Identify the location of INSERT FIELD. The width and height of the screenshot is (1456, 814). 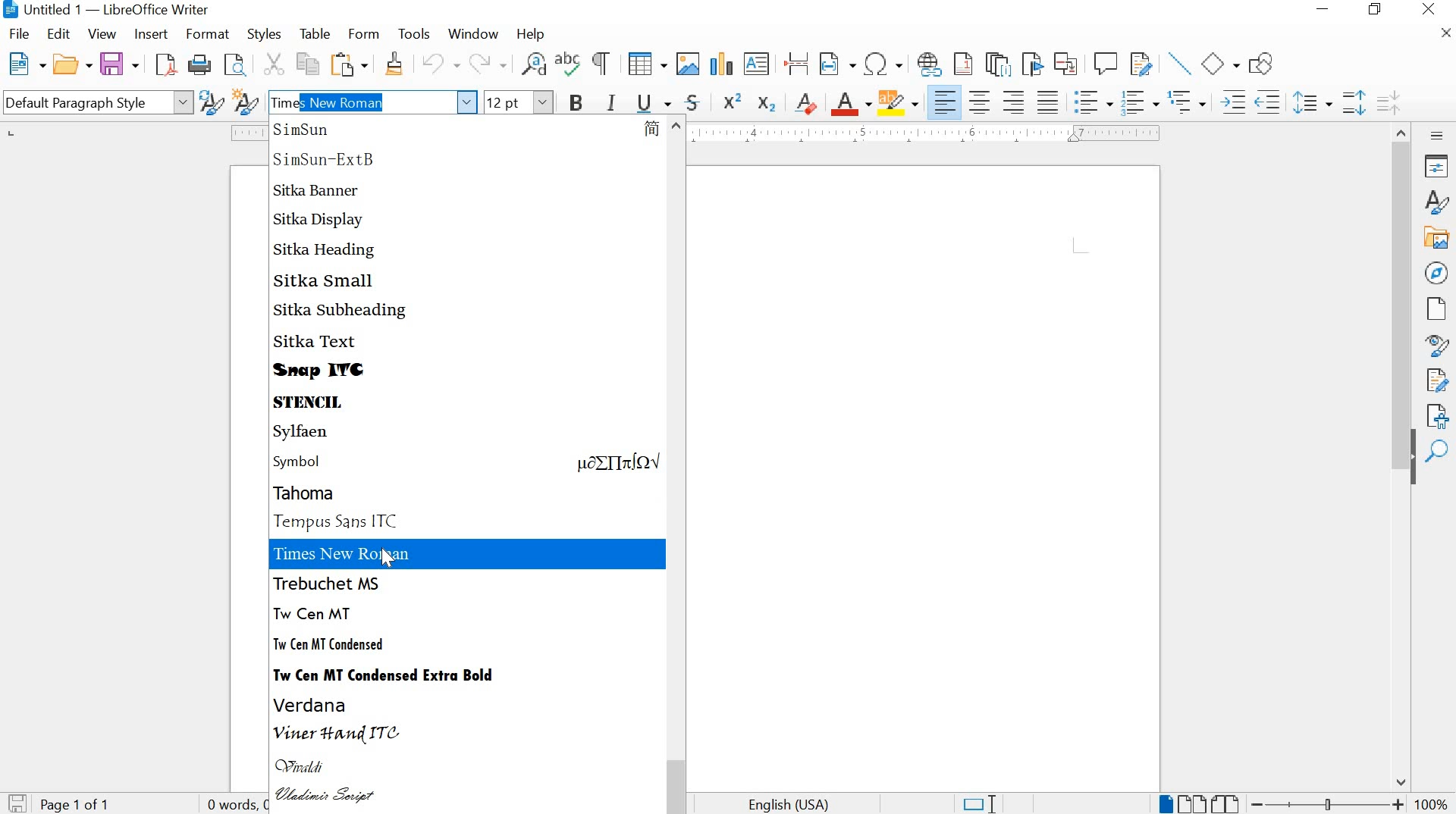
(836, 65).